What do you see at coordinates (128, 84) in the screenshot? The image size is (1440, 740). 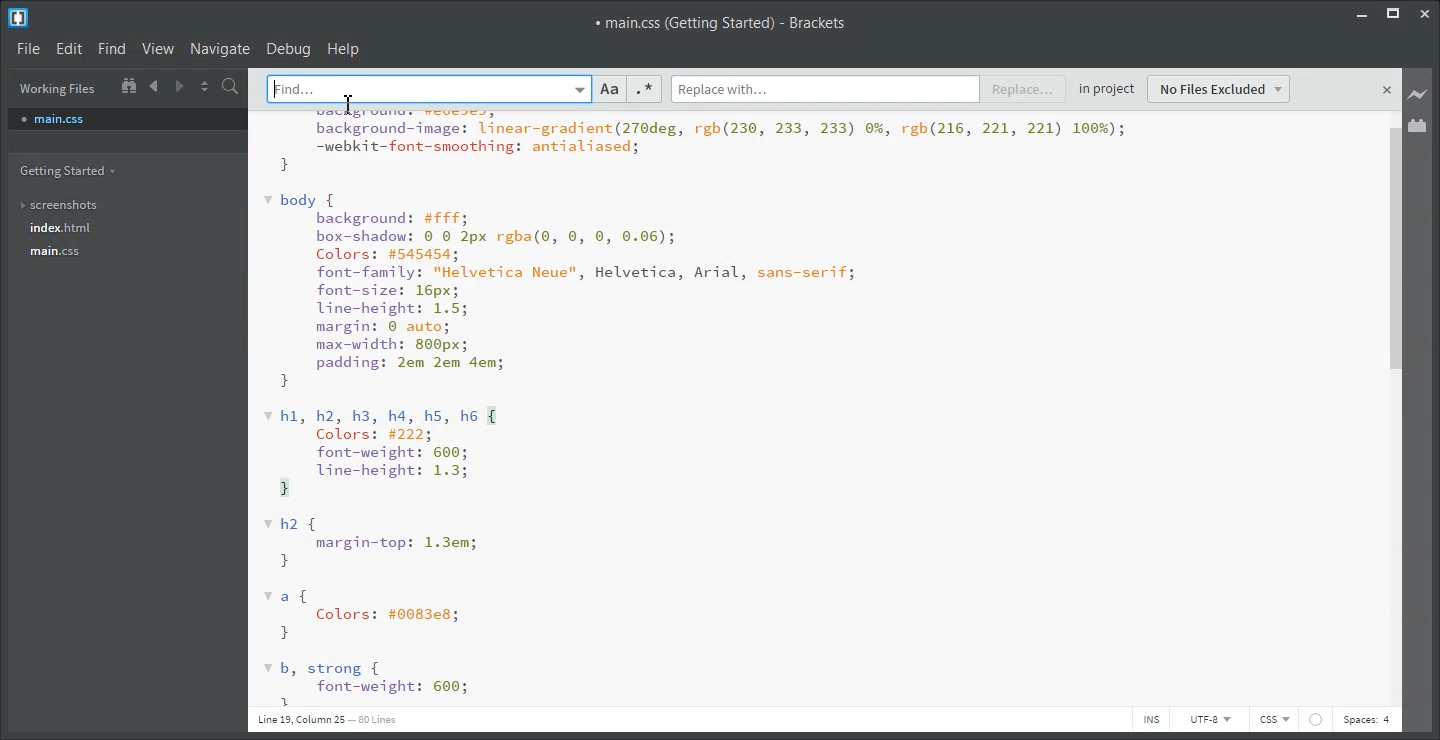 I see `Show In the file tree` at bounding box center [128, 84].